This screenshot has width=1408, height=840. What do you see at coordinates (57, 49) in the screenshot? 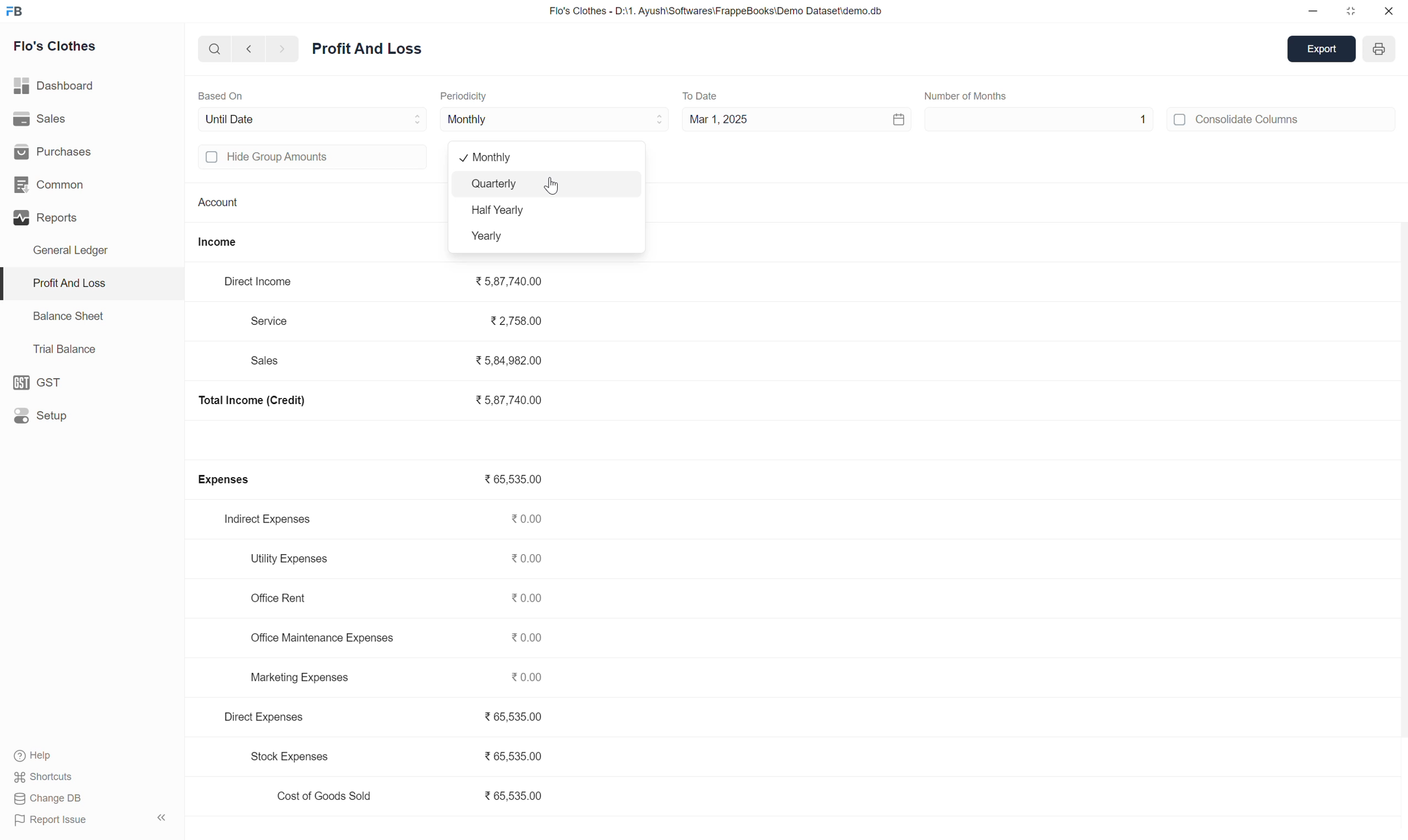
I see `Flo's Clothes` at bounding box center [57, 49].